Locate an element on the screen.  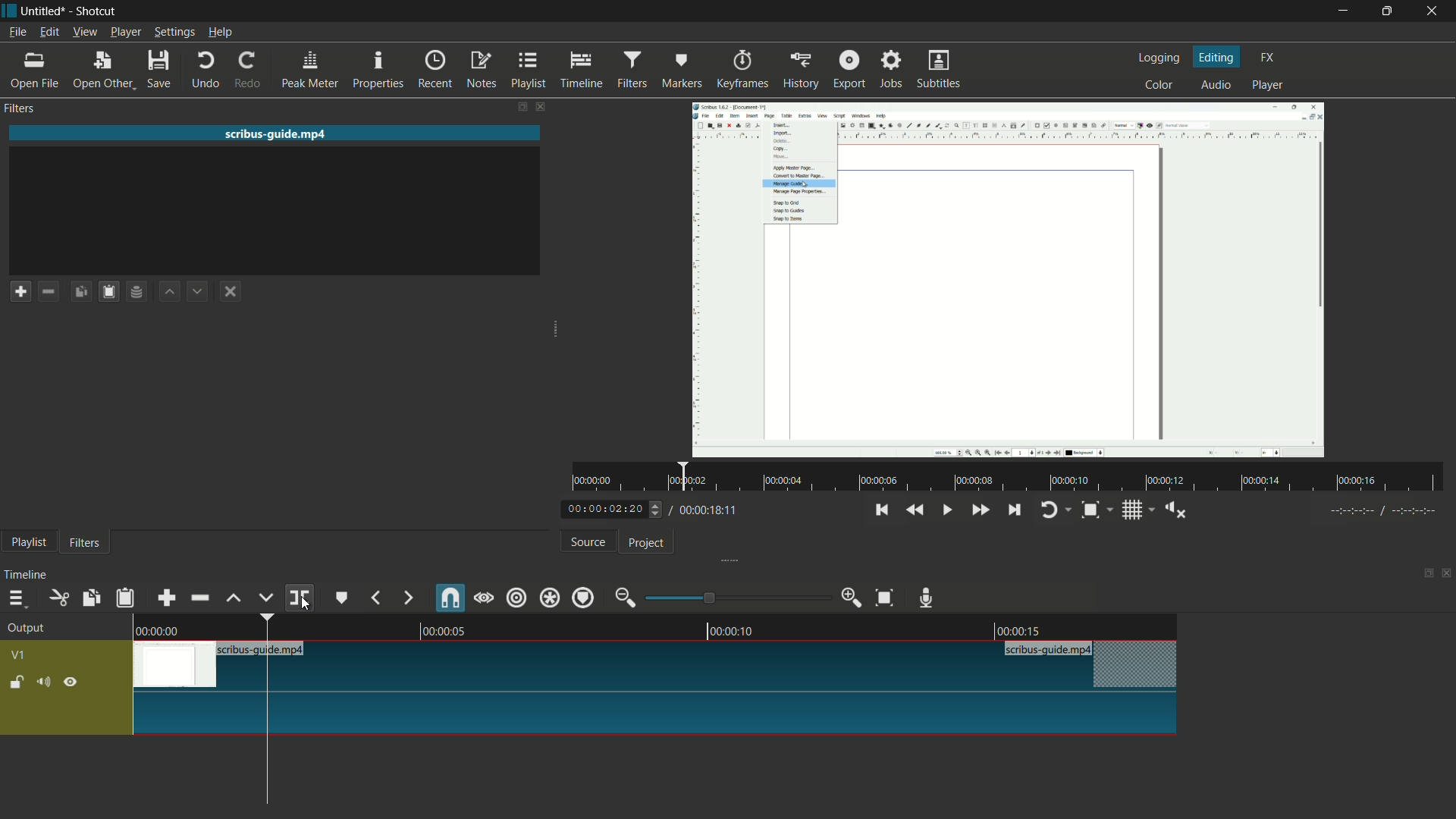
split at playhead is located at coordinates (300, 598).